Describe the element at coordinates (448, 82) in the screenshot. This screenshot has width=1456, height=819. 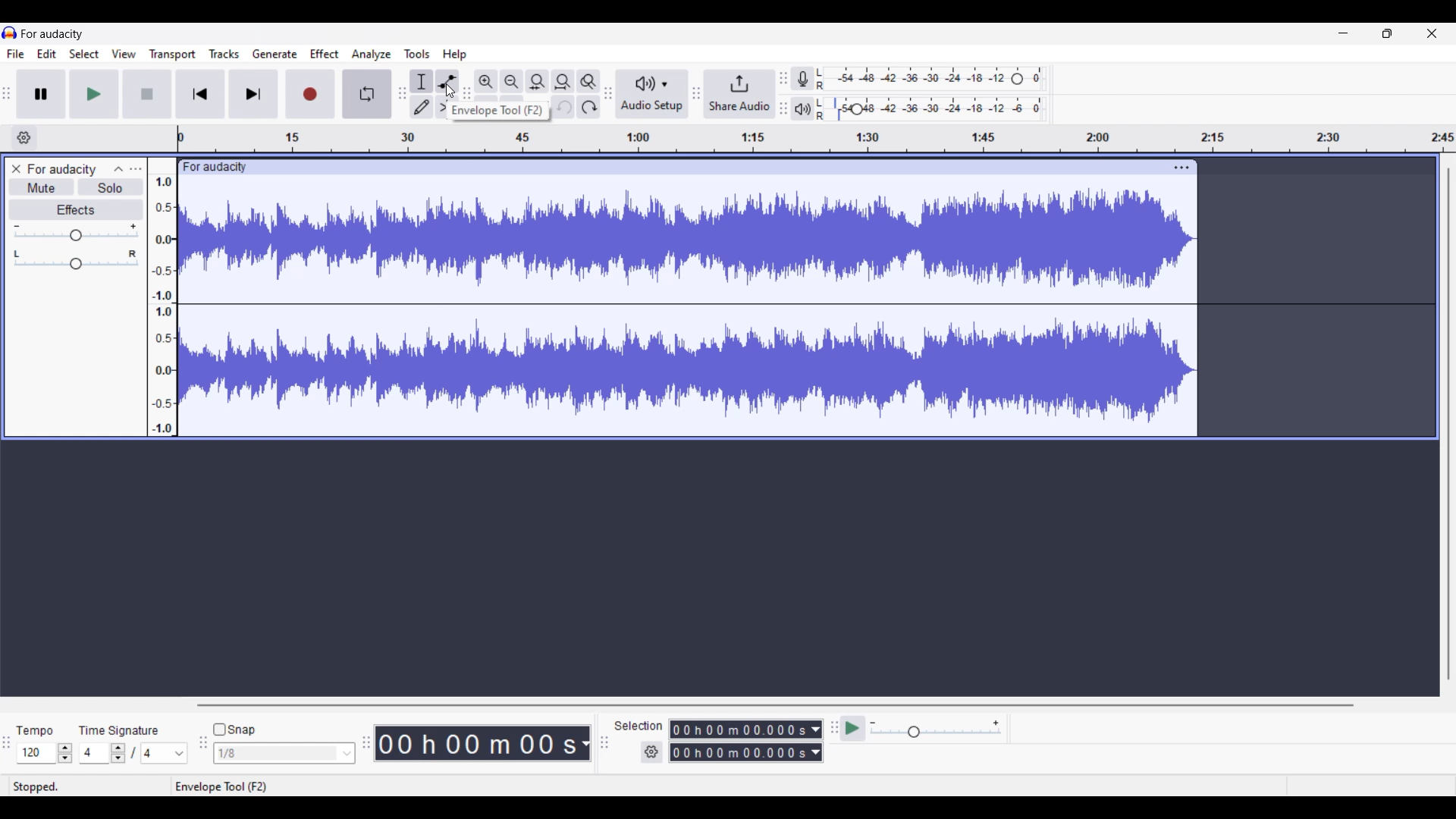
I see `Envelop tool` at that location.